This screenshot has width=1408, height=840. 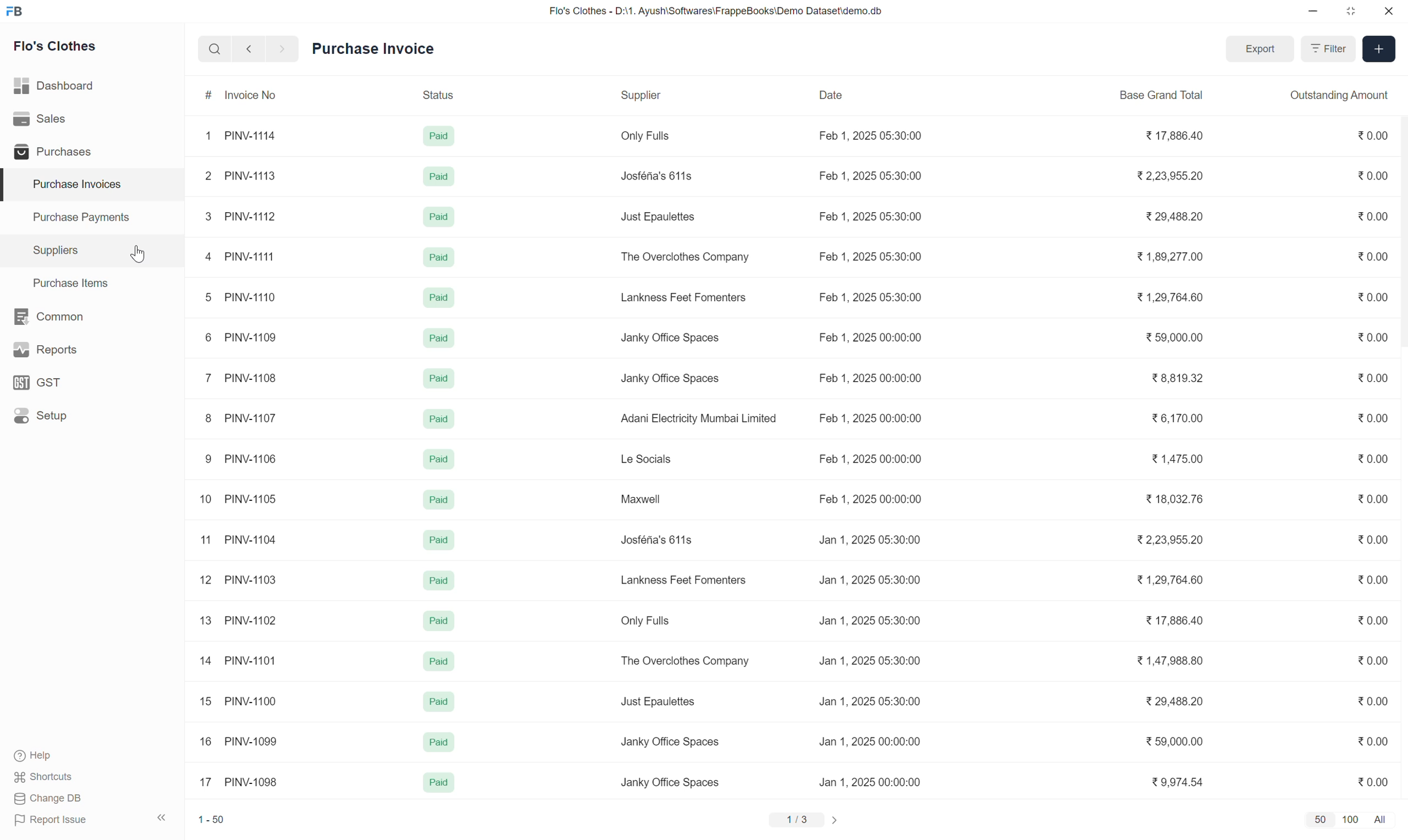 I want to click on 0.00, so click(x=1373, y=257).